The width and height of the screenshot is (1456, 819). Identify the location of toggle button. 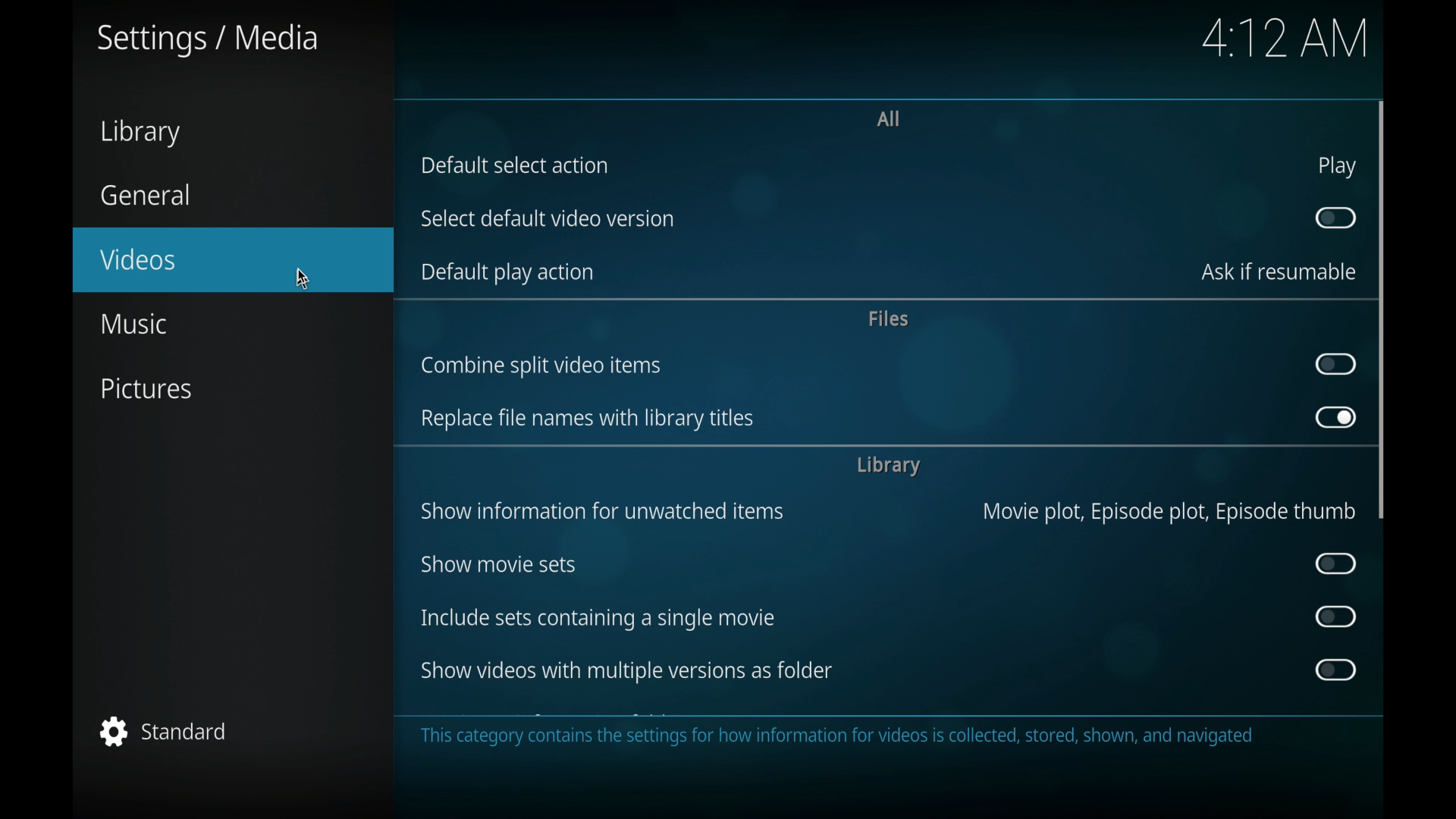
(1336, 563).